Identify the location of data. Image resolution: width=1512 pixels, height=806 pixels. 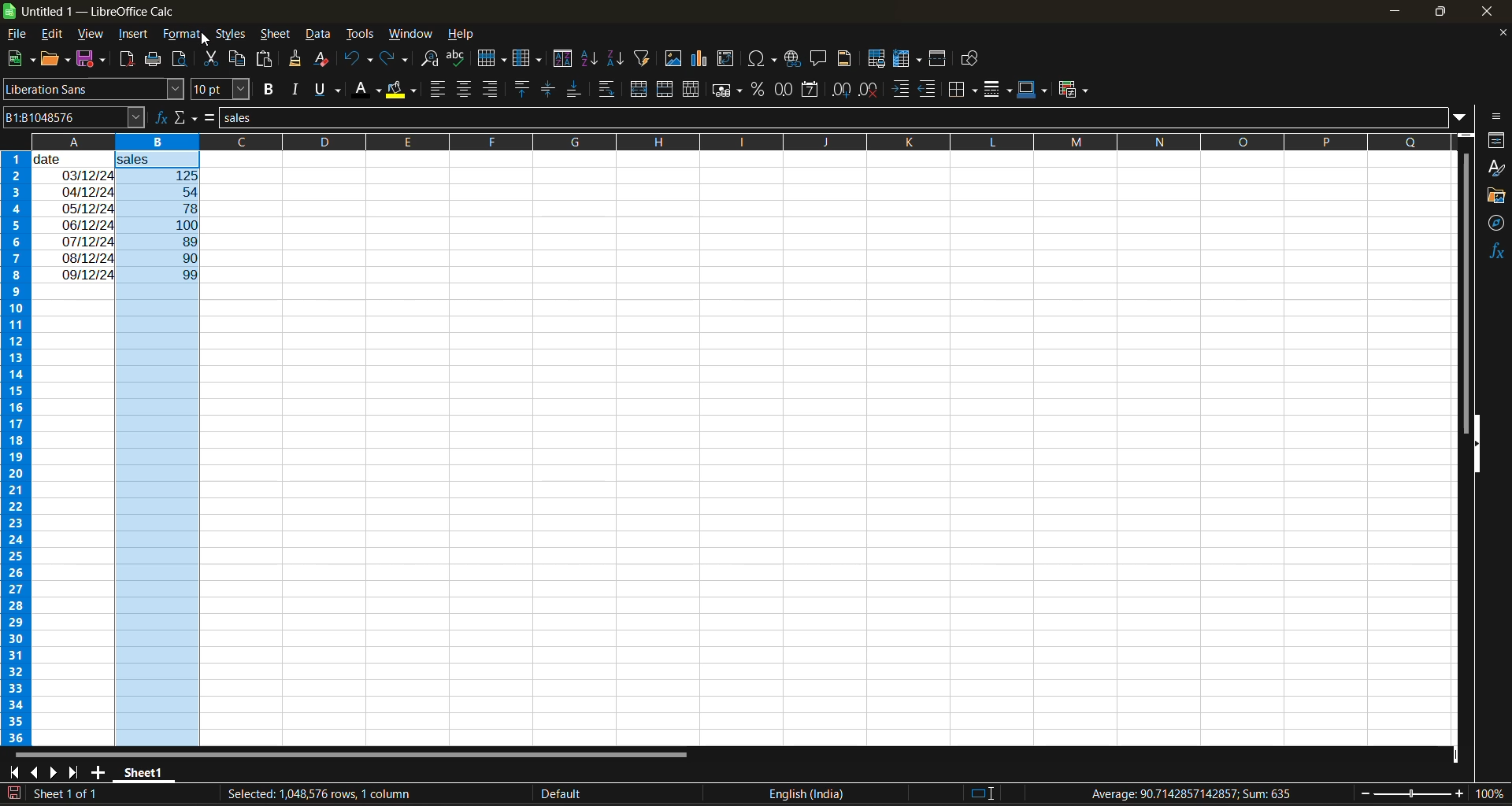
(317, 35).